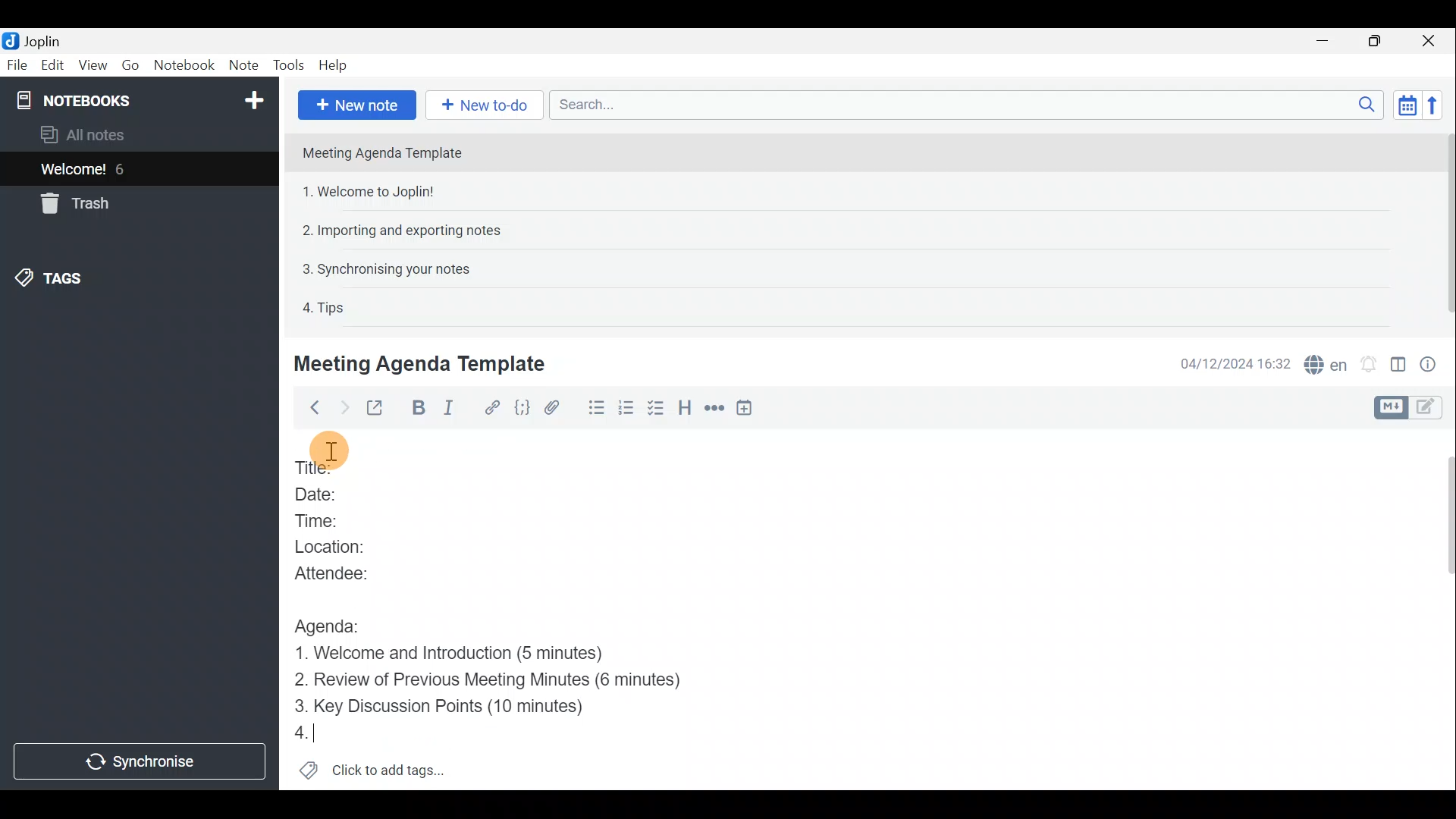 The height and width of the screenshot is (819, 1456). Describe the element at coordinates (324, 465) in the screenshot. I see `Title:` at that location.